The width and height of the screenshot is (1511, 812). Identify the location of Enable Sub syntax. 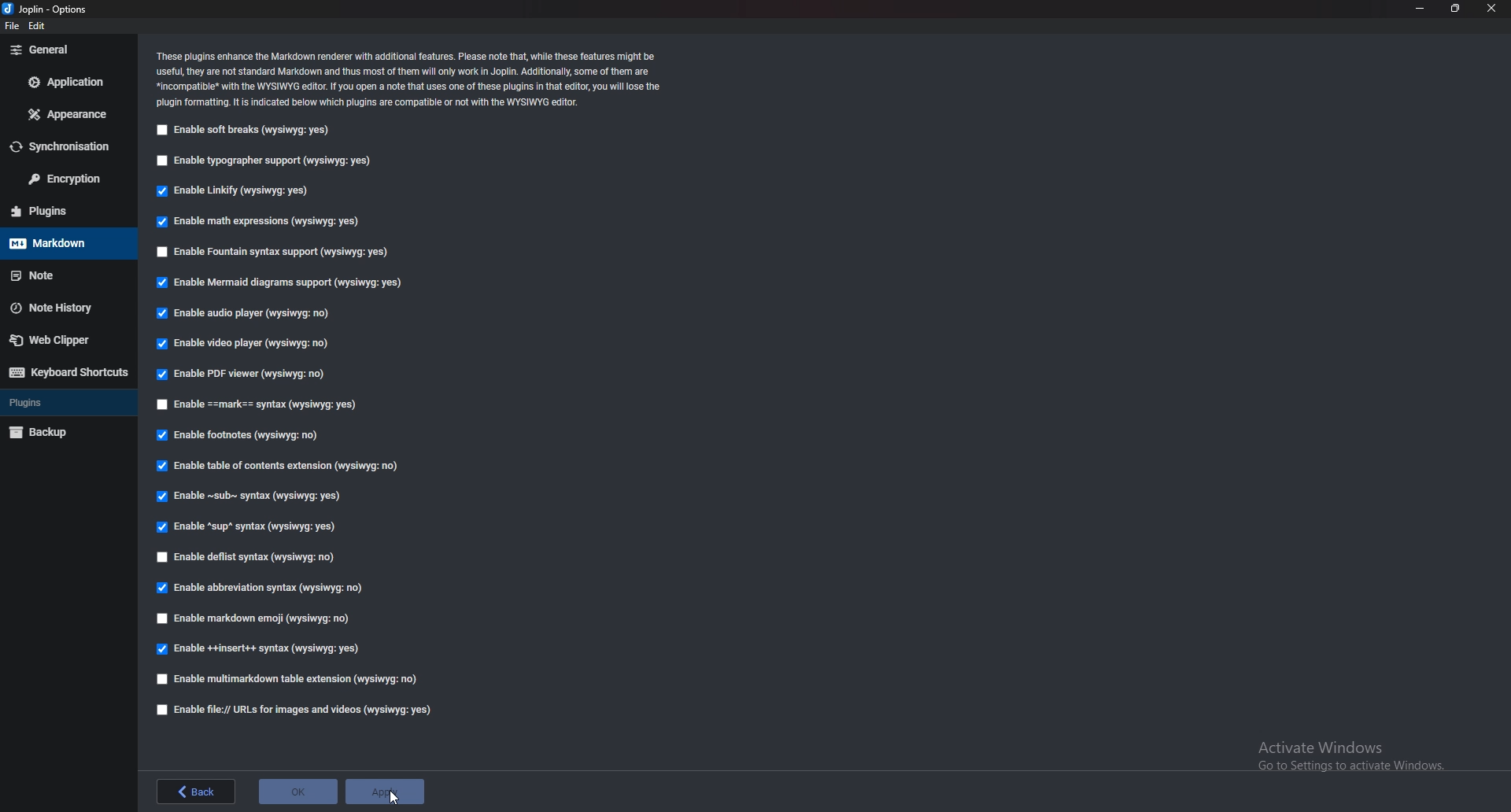
(252, 495).